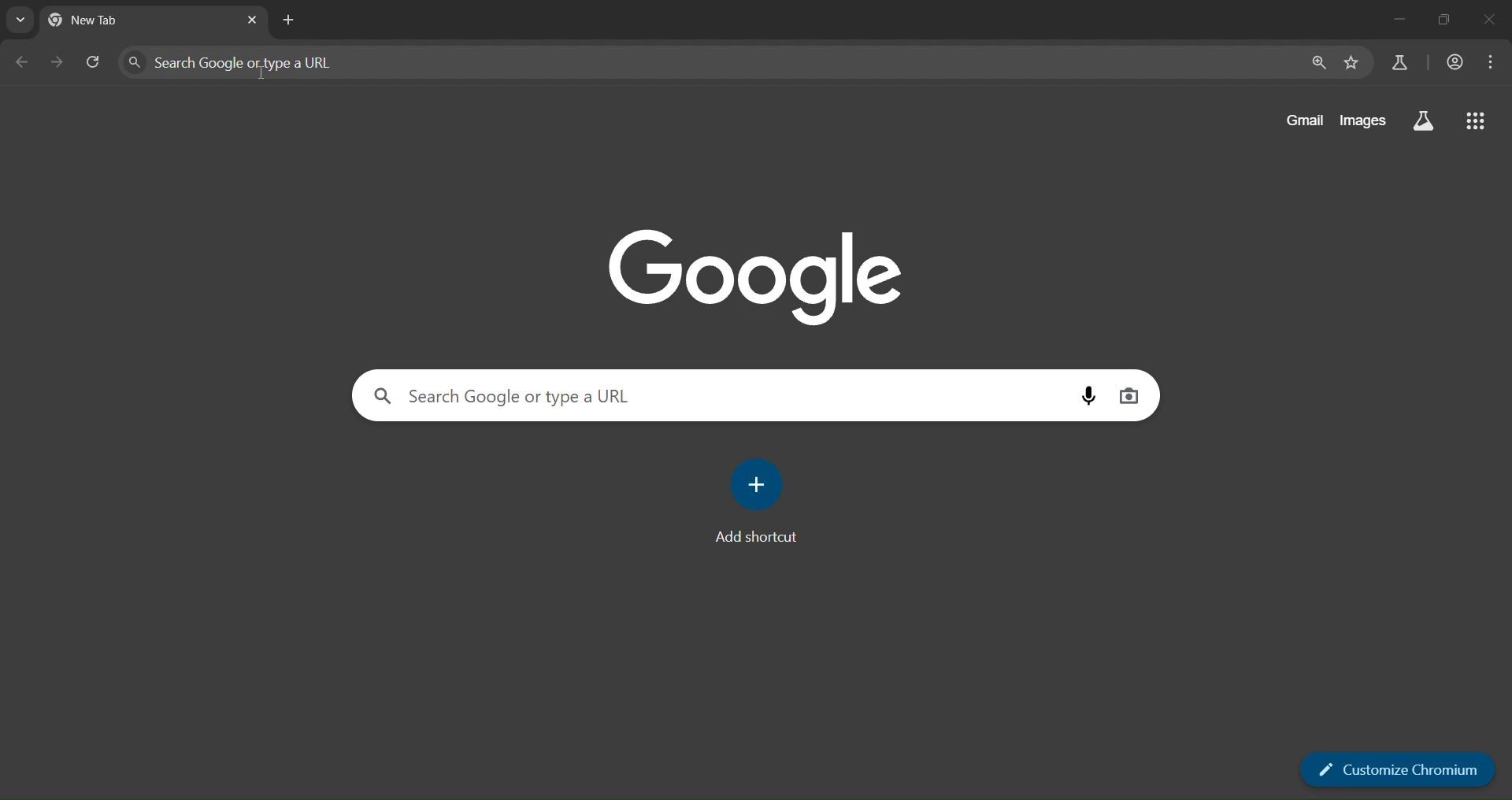 This screenshot has width=1512, height=800. What do you see at coordinates (1352, 62) in the screenshot?
I see `bookmark panel` at bounding box center [1352, 62].